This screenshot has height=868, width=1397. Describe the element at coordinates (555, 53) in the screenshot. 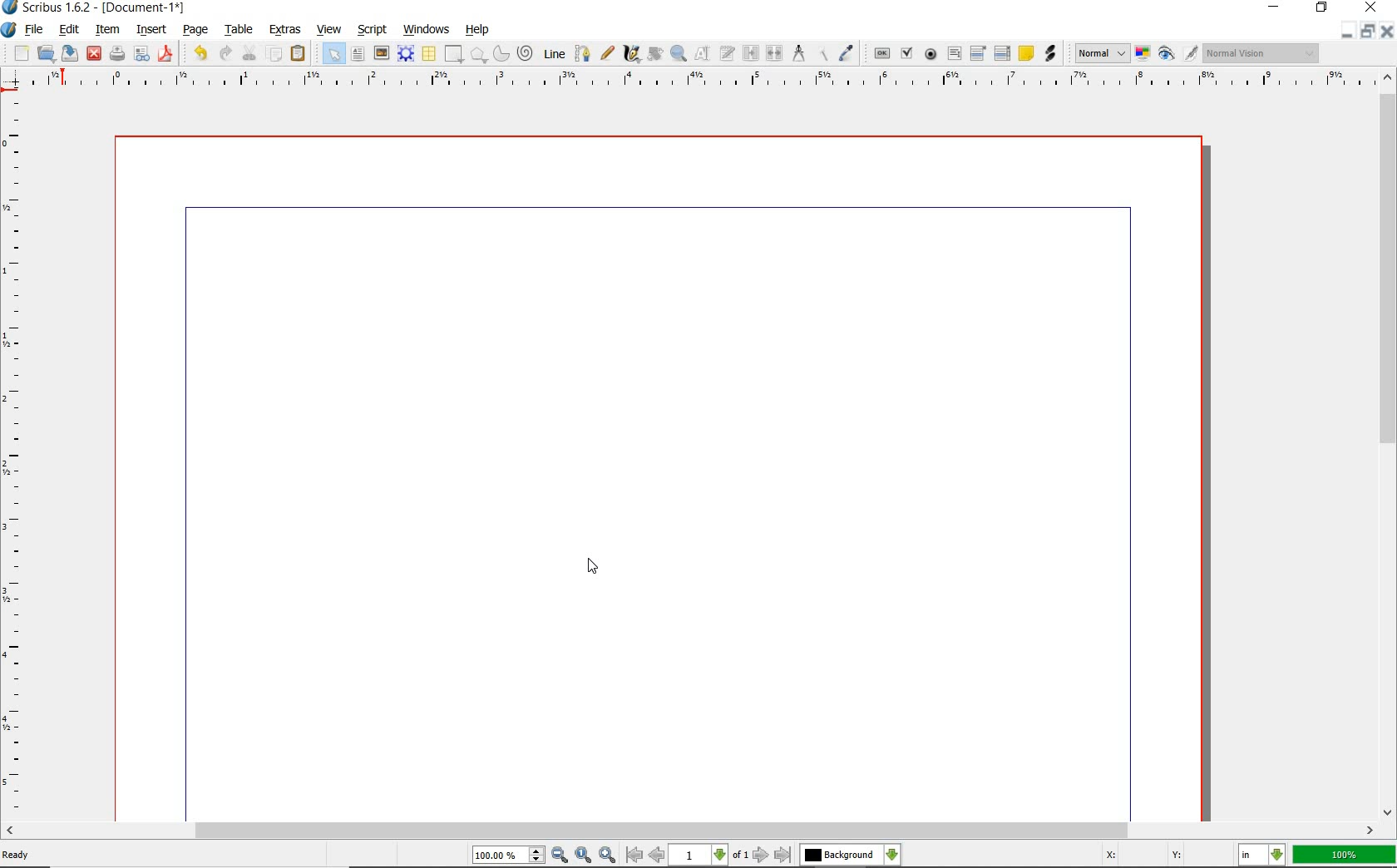

I see `line` at that location.